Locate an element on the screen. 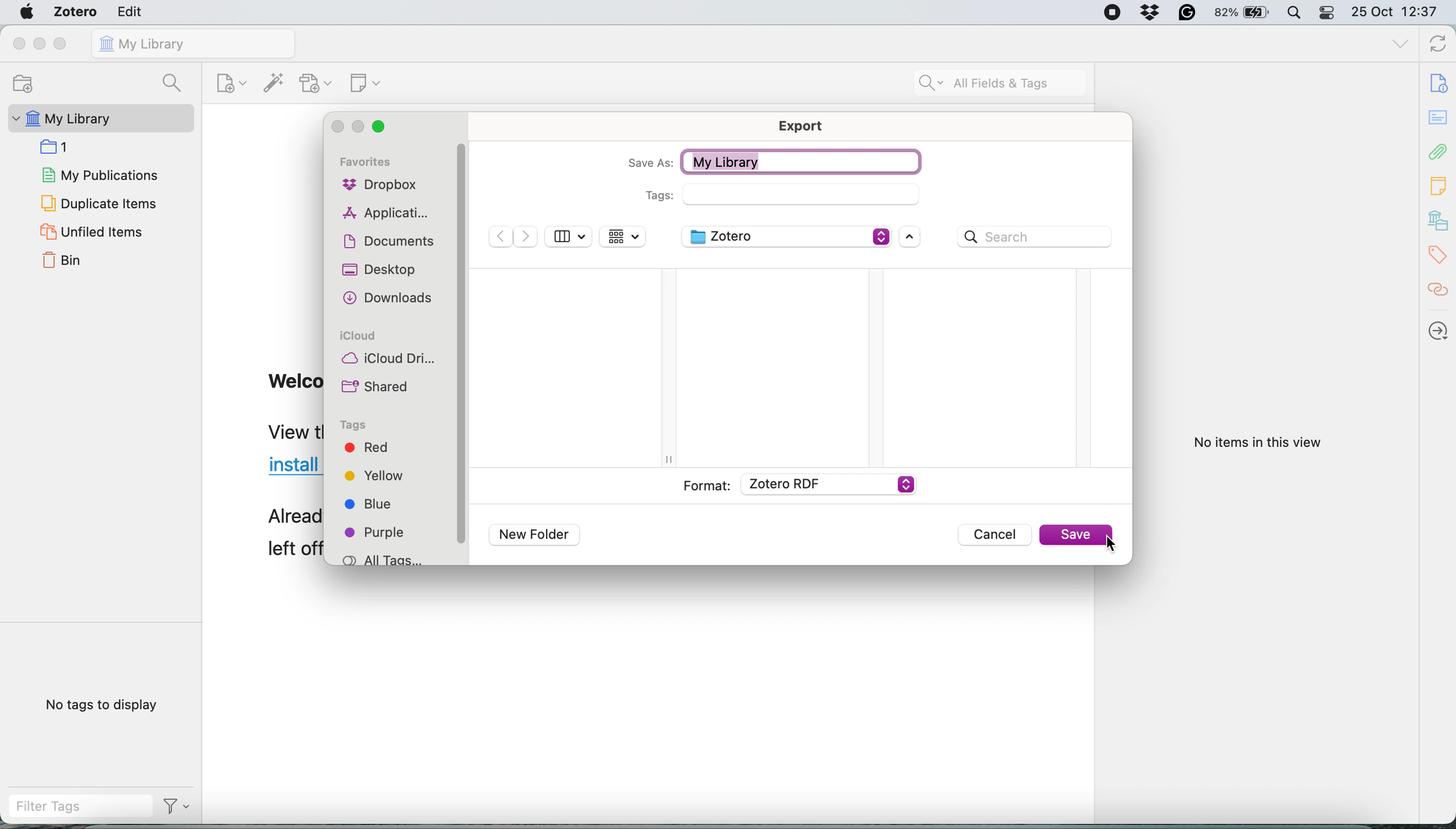  search all field ads tags is located at coordinates (996, 84).